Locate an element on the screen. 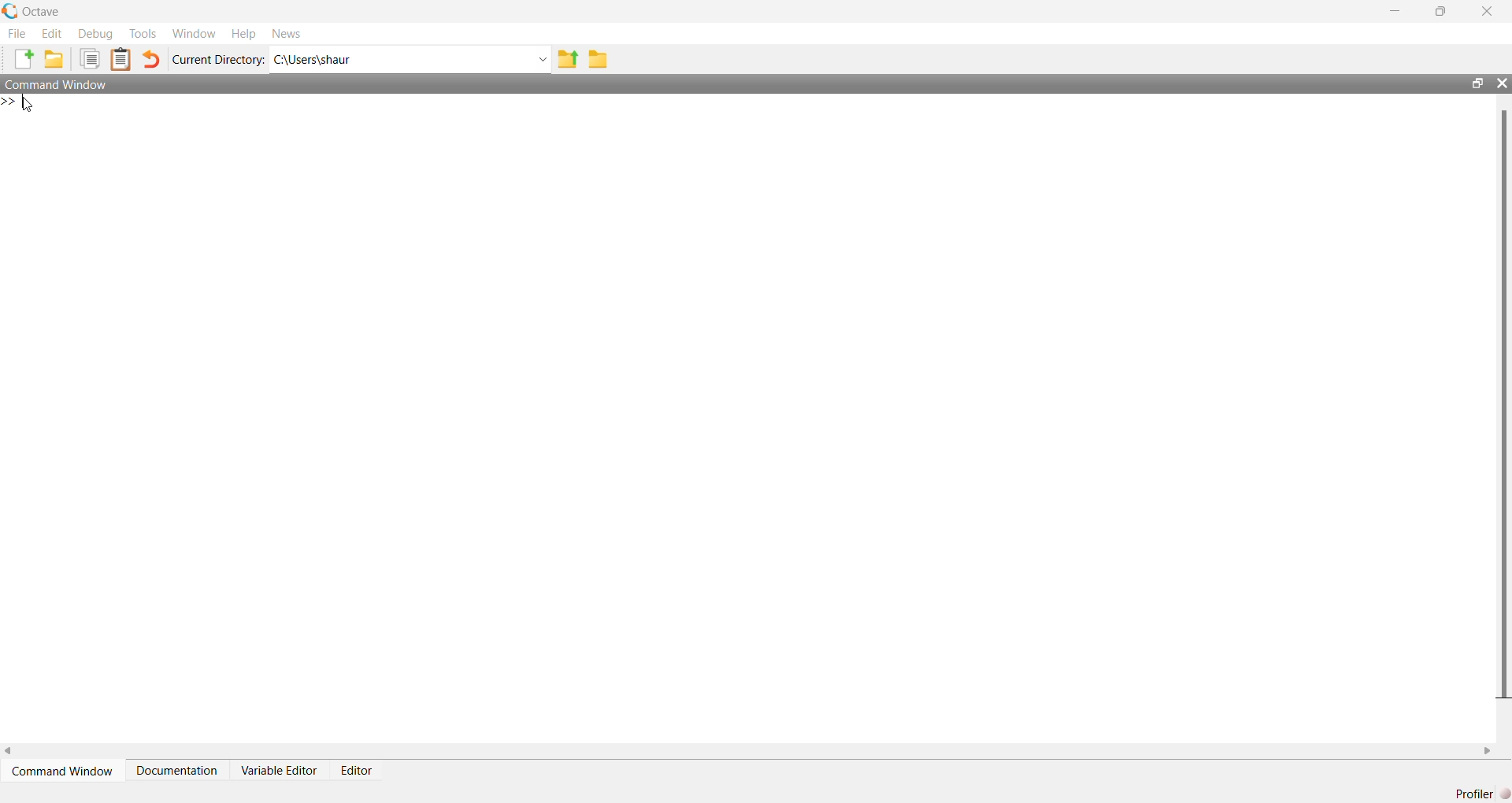 The height and width of the screenshot is (803, 1512). maximise is located at coordinates (1443, 9).